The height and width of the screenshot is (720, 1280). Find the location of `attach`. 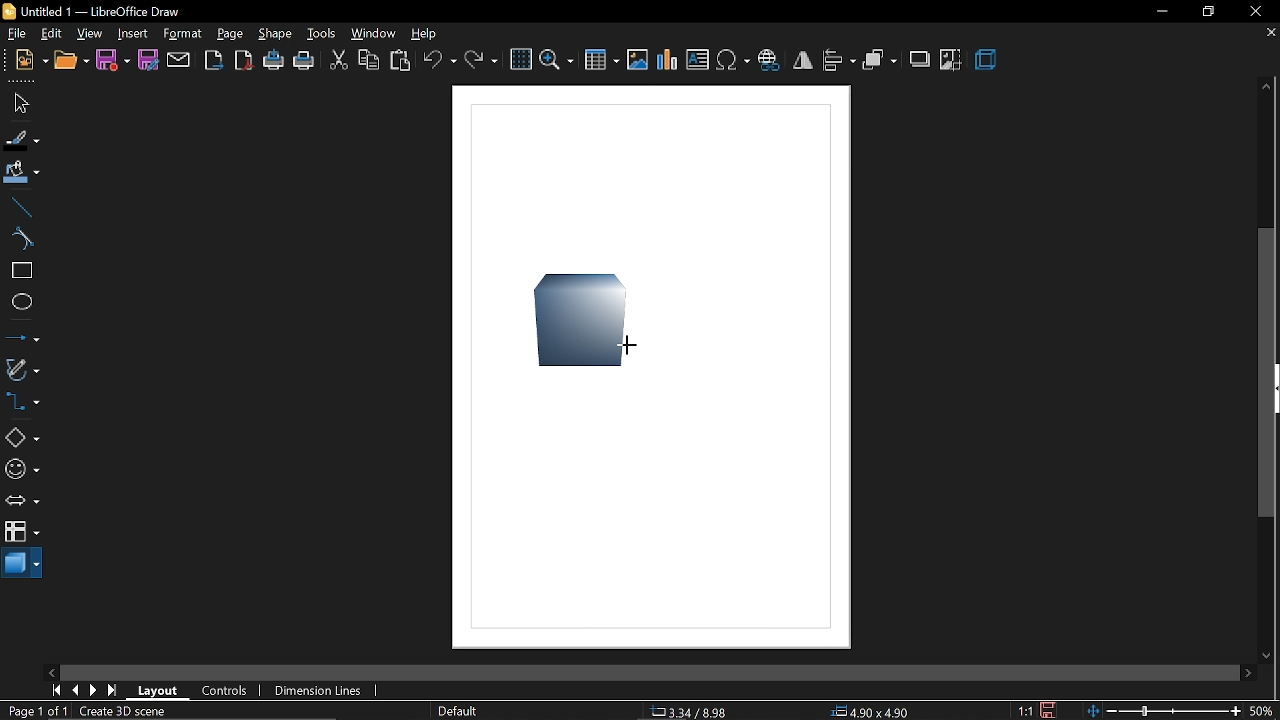

attach is located at coordinates (180, 60).